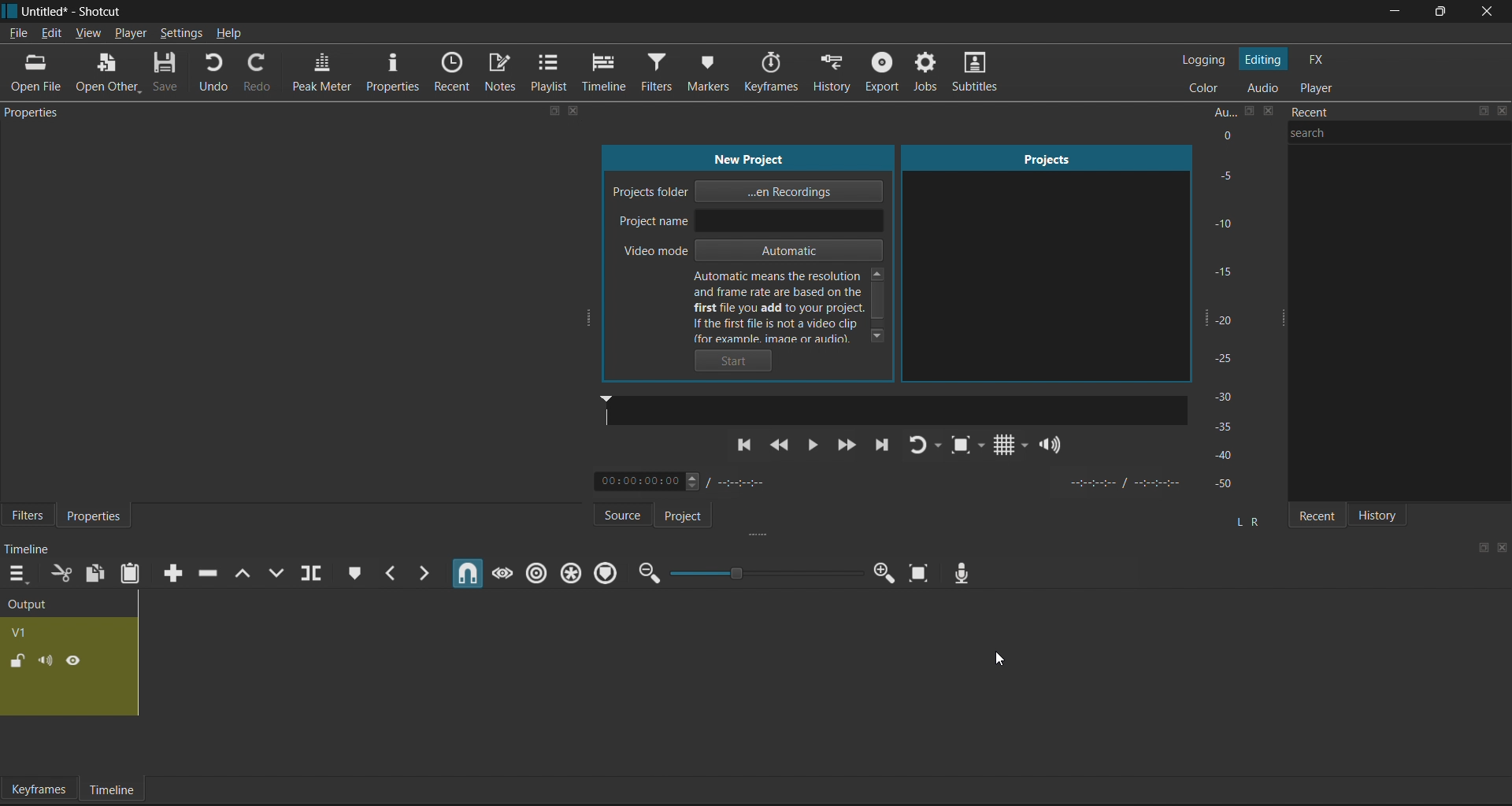  Describe the element at coordinates (38, 788) in the screenshot. I see `Keyframes` at that location.